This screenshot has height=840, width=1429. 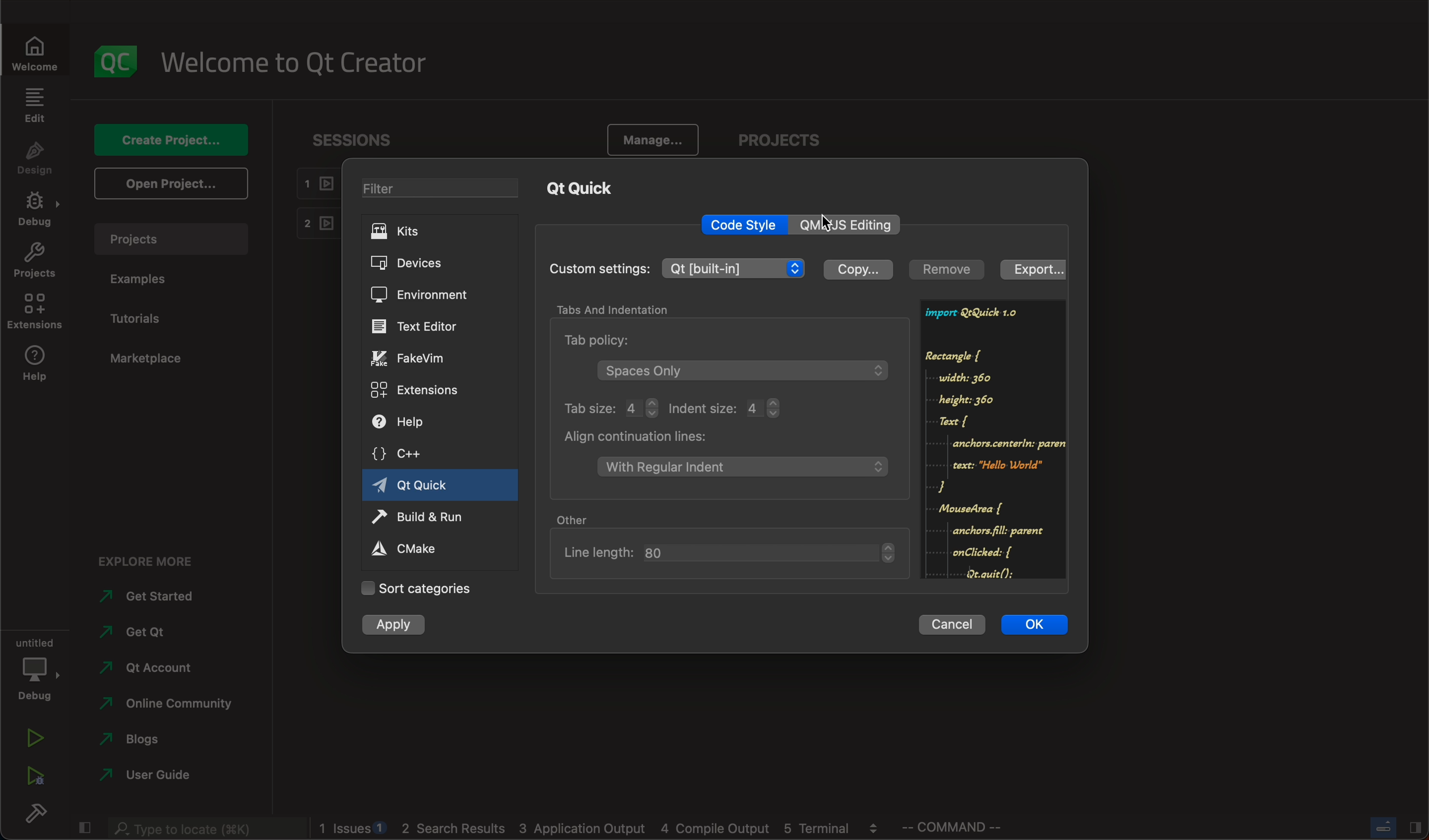 I want to click on open, so click(x=170, y=184).